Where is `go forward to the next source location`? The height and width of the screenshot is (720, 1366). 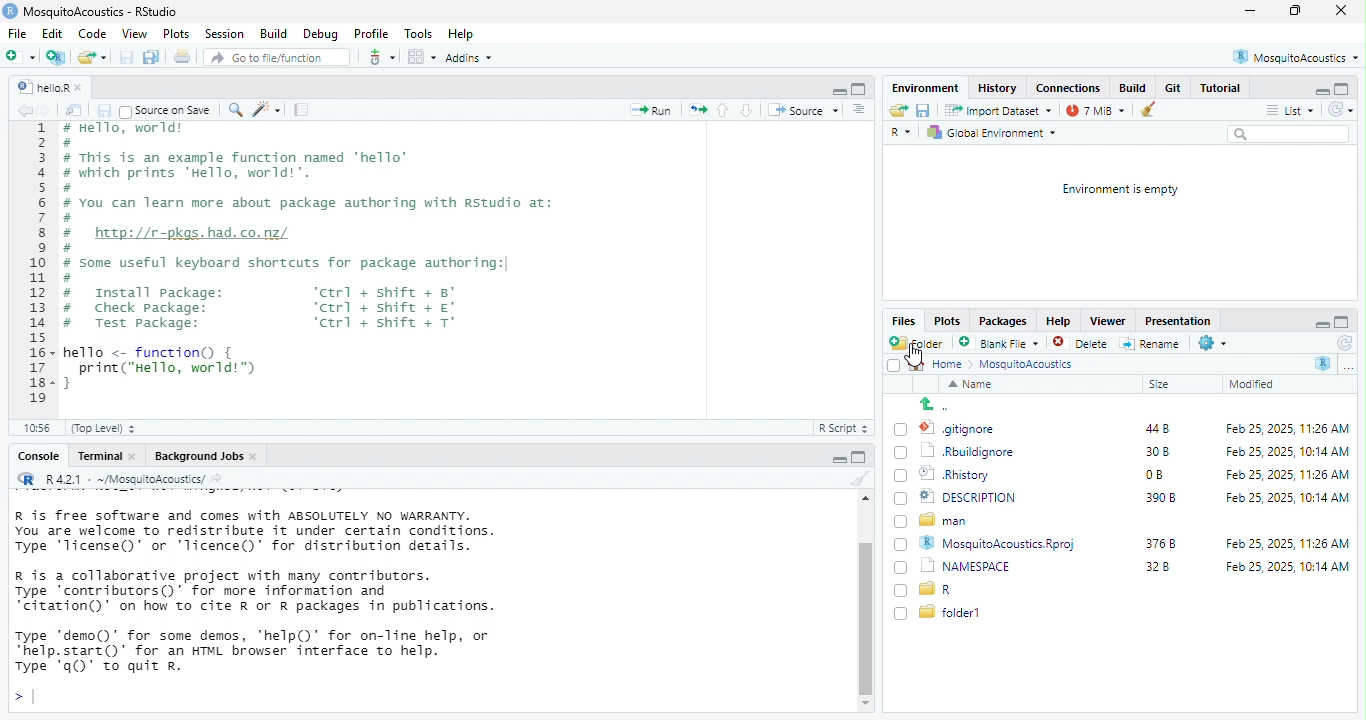
go forward to the next source location is located at coordinates (51, 111).